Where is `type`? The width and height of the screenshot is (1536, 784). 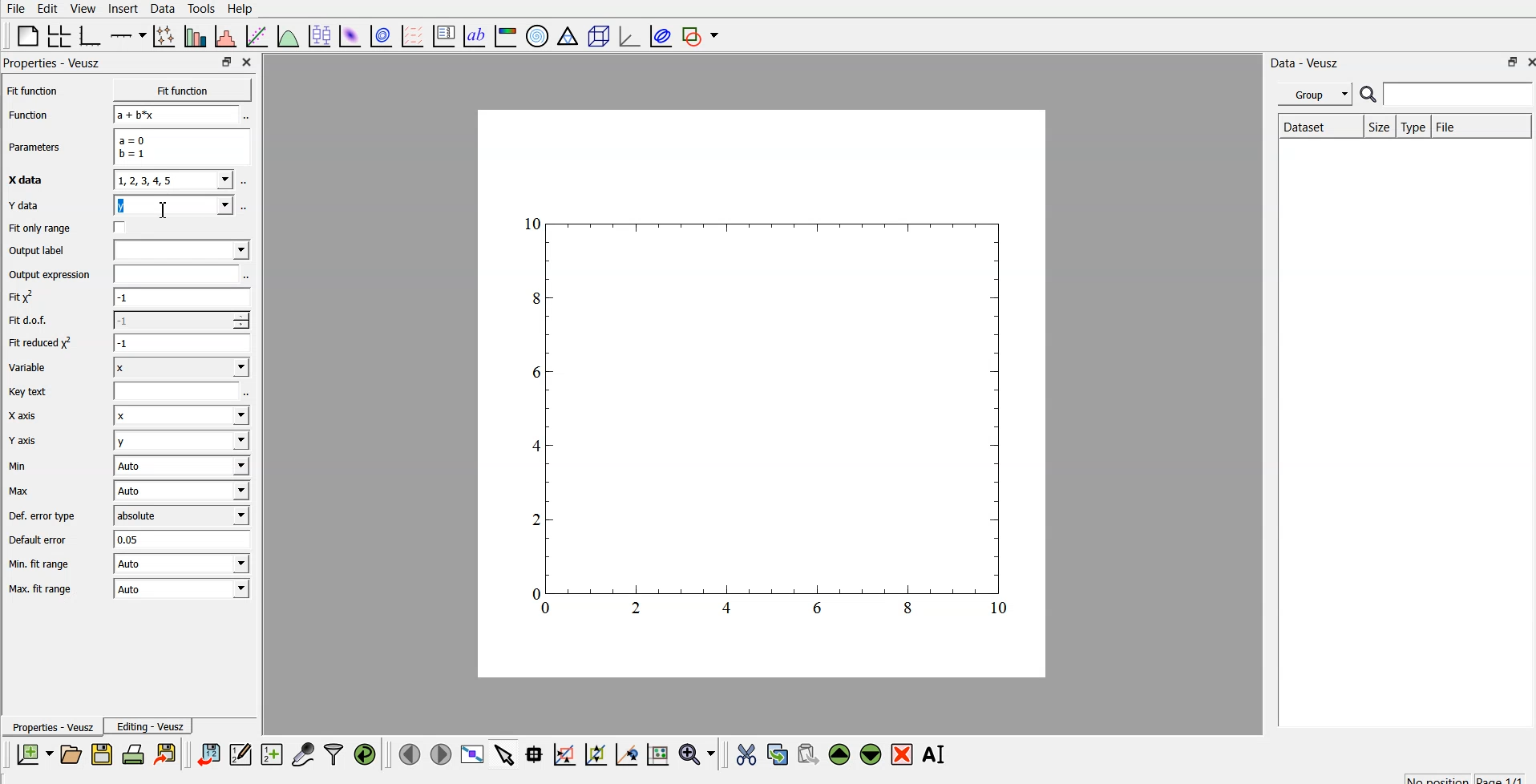 type is located at coordinates (1413, 127).